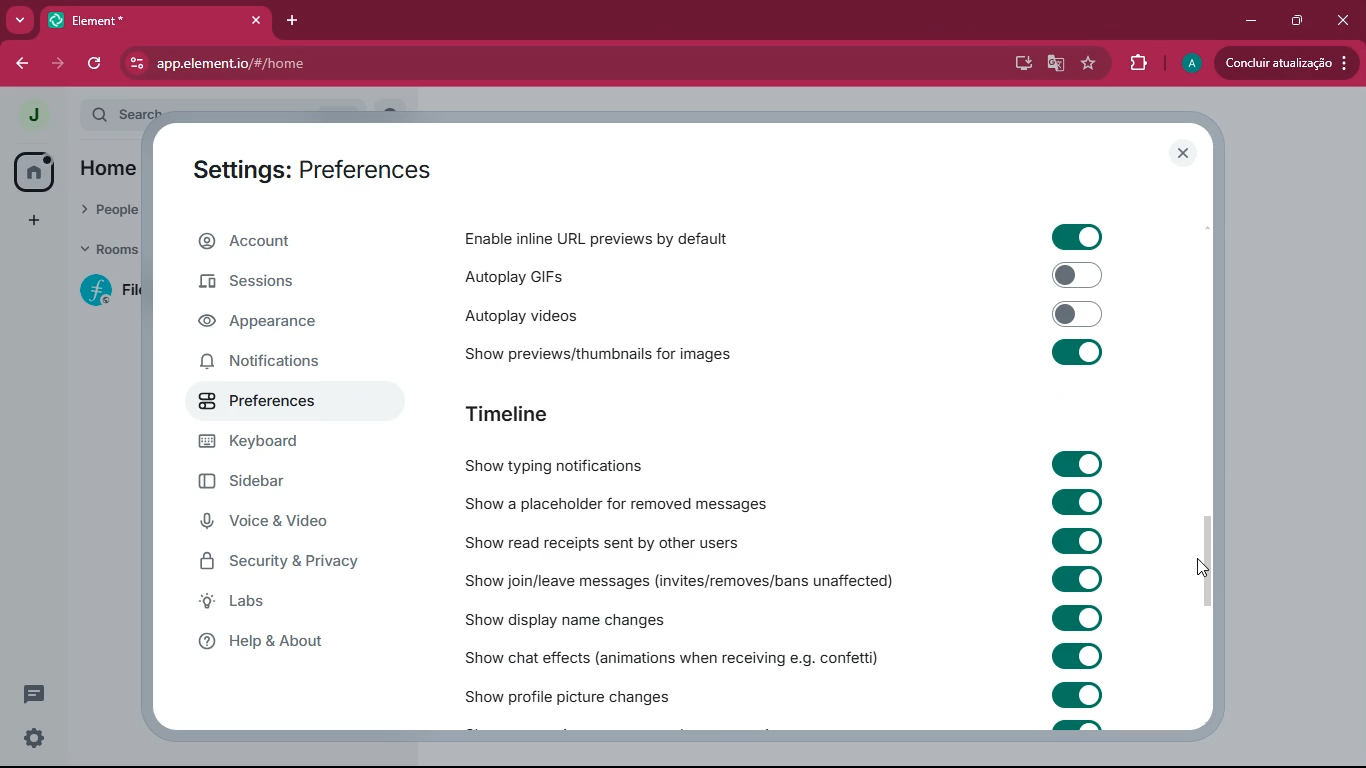 The image size is (1366, 768). I want to click on scroll bar, so click(1209, 556).